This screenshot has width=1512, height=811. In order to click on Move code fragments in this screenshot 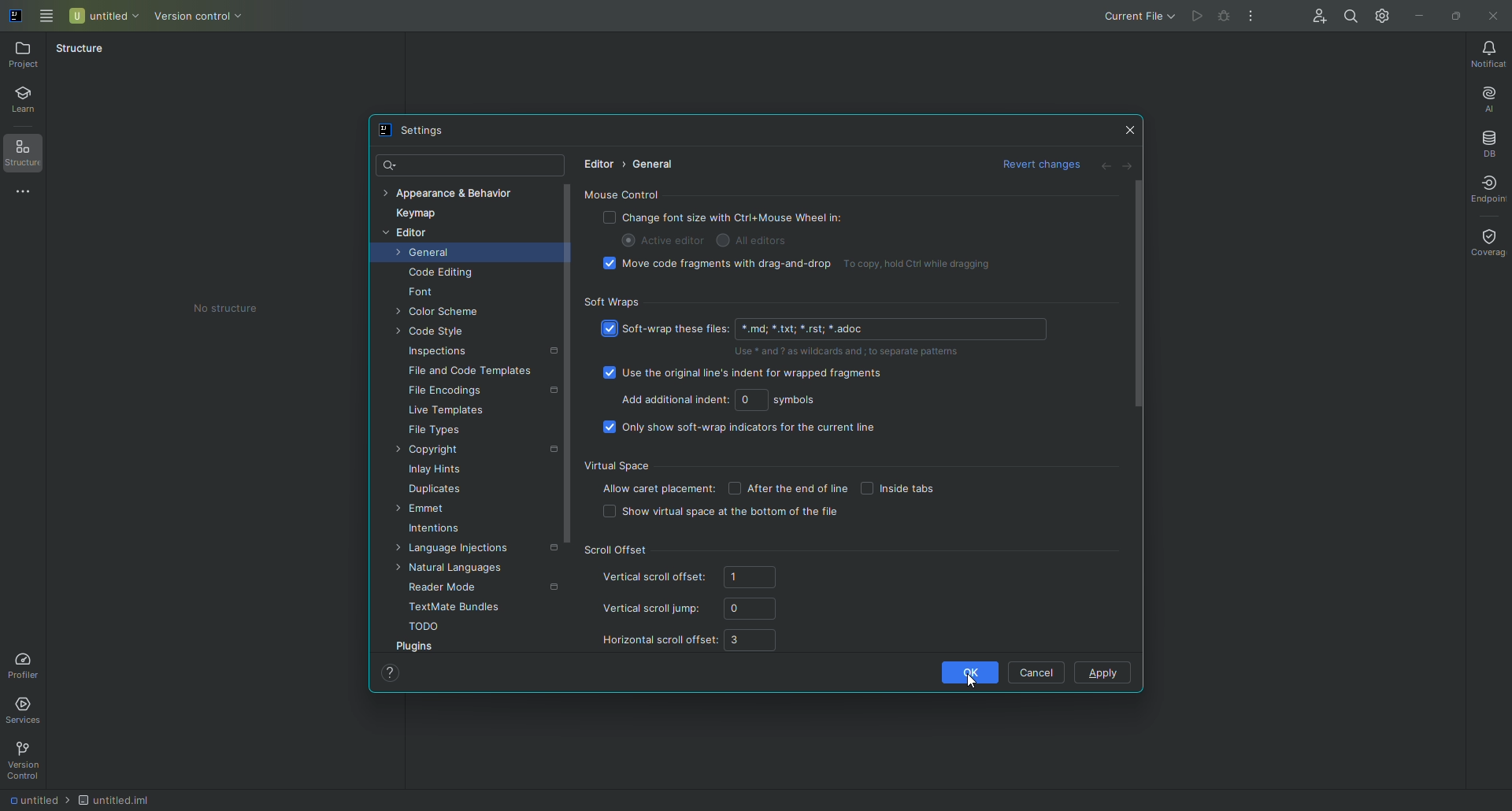, I will do `click(719, 267)`.